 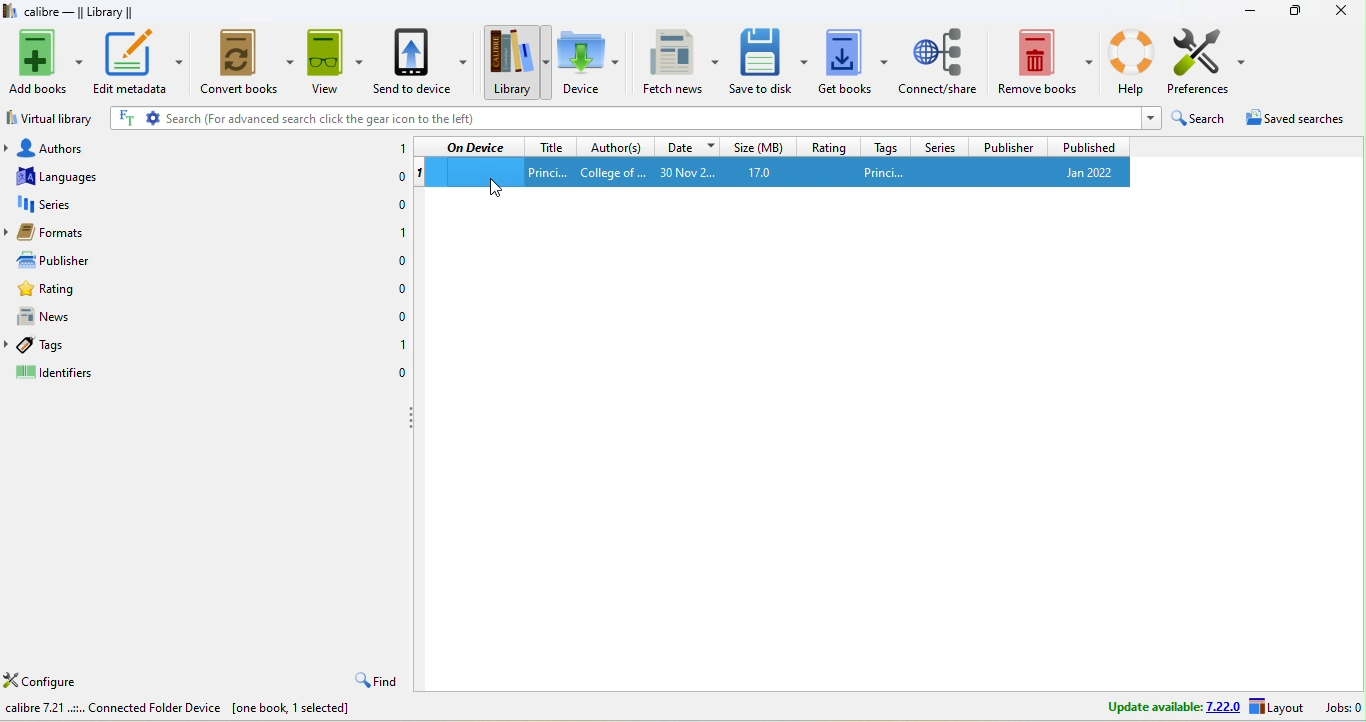 What do you see at coordinates (547, 171) in the screenshot?
I see `title` at bounding box center [547, 171].